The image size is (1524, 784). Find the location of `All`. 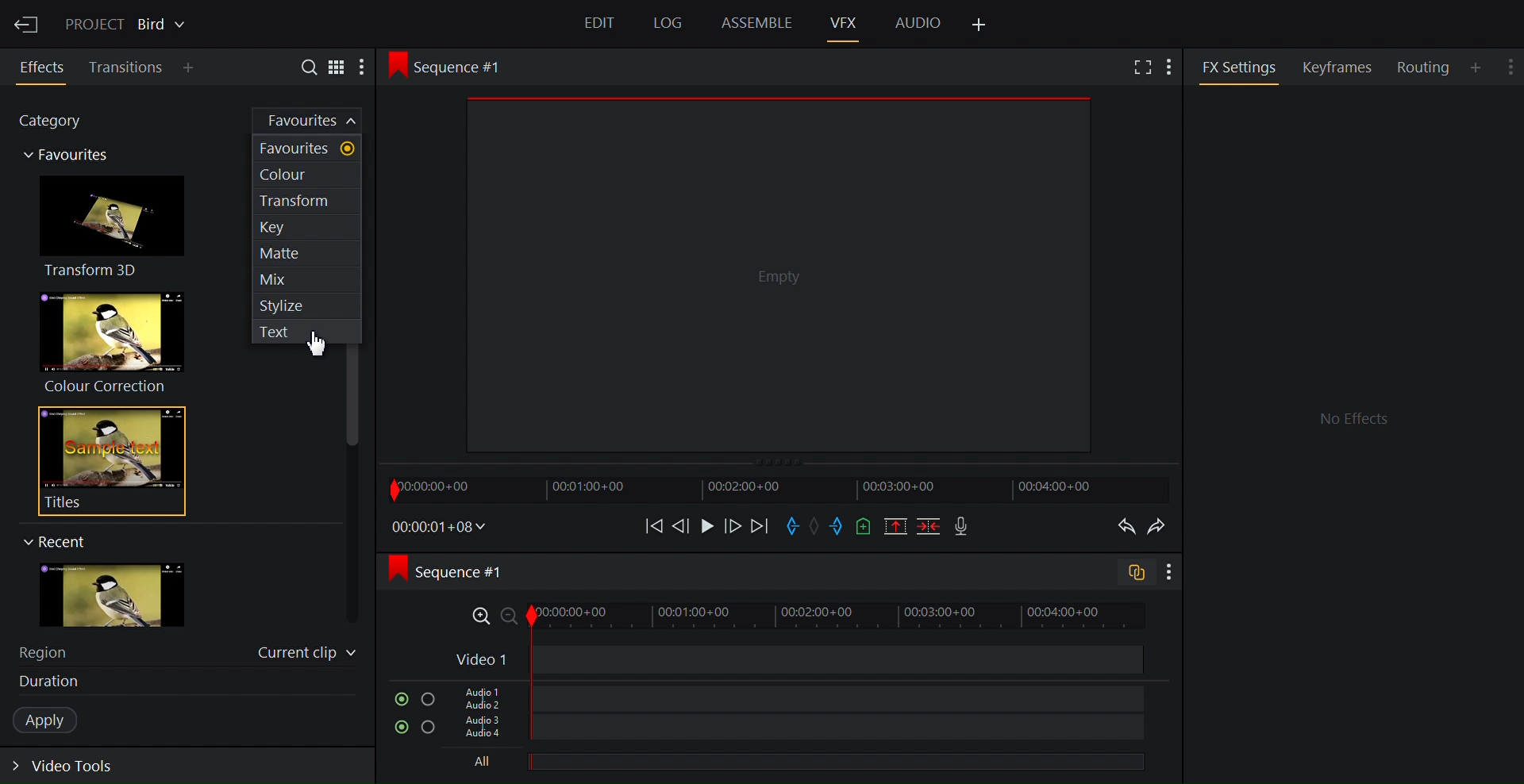

All is located at coordinates (790, 763).